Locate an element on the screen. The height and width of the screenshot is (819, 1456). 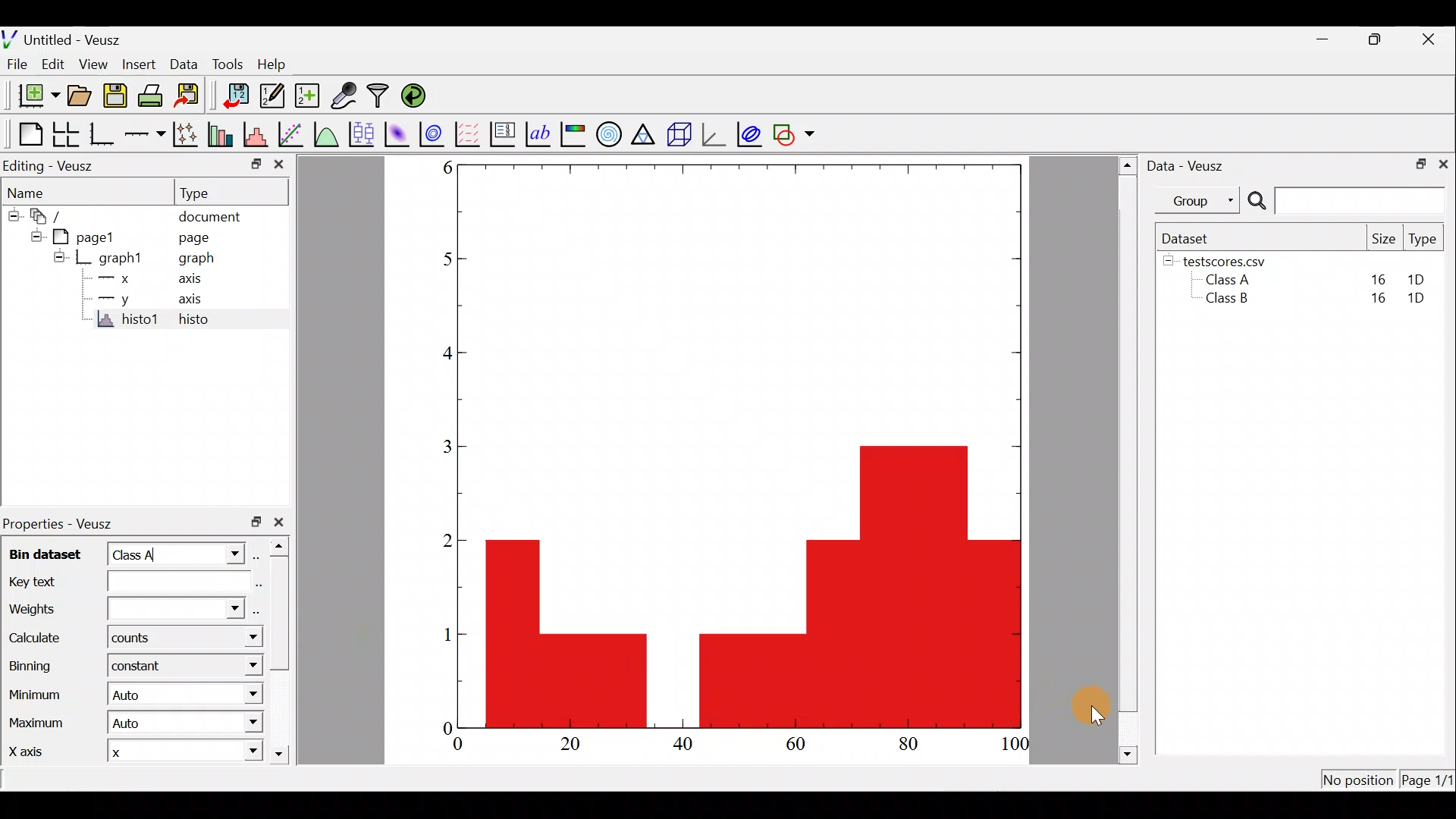
Bin dataset is located at coordinates (46, 554).